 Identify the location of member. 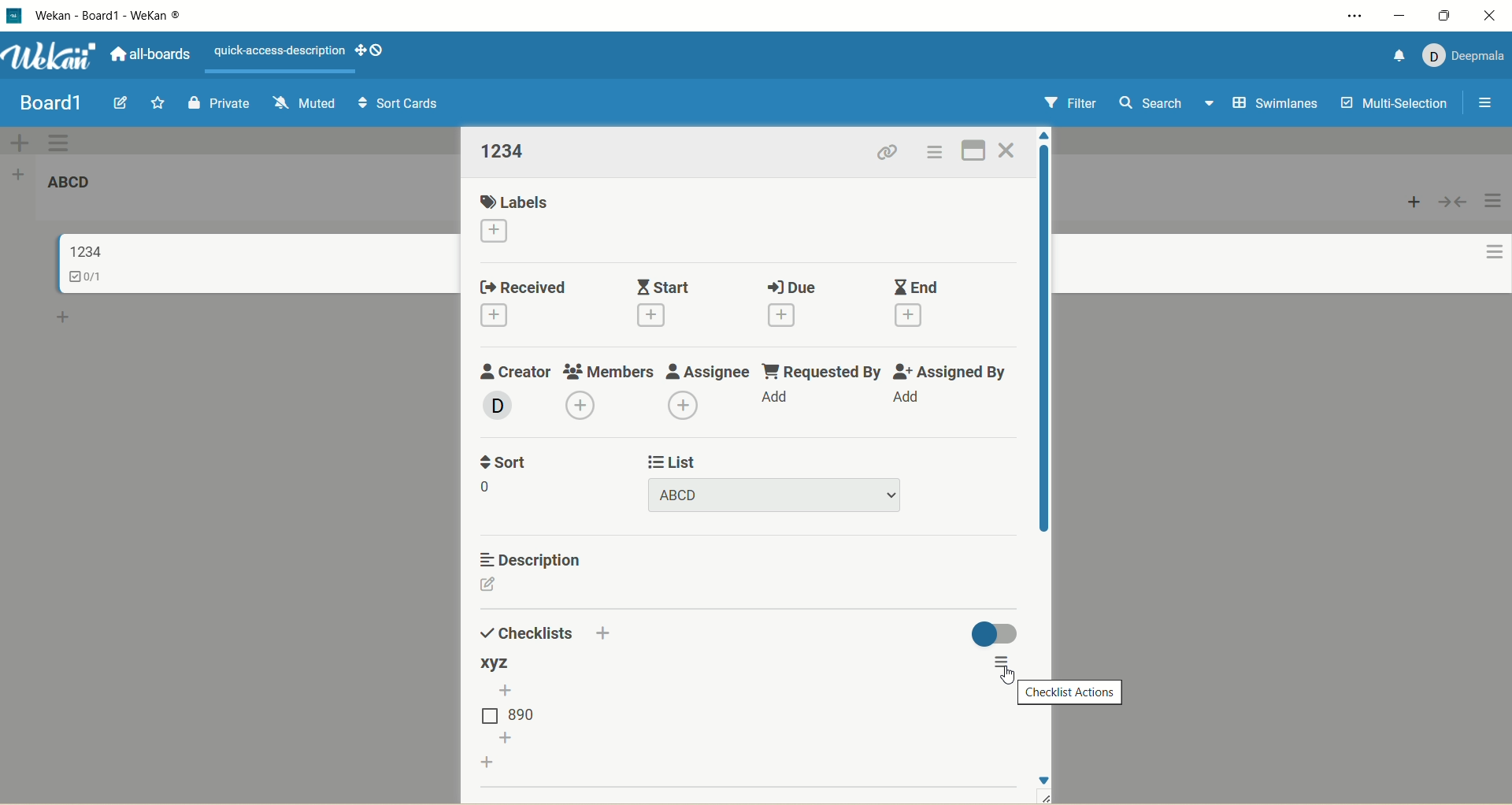
(495, 406).